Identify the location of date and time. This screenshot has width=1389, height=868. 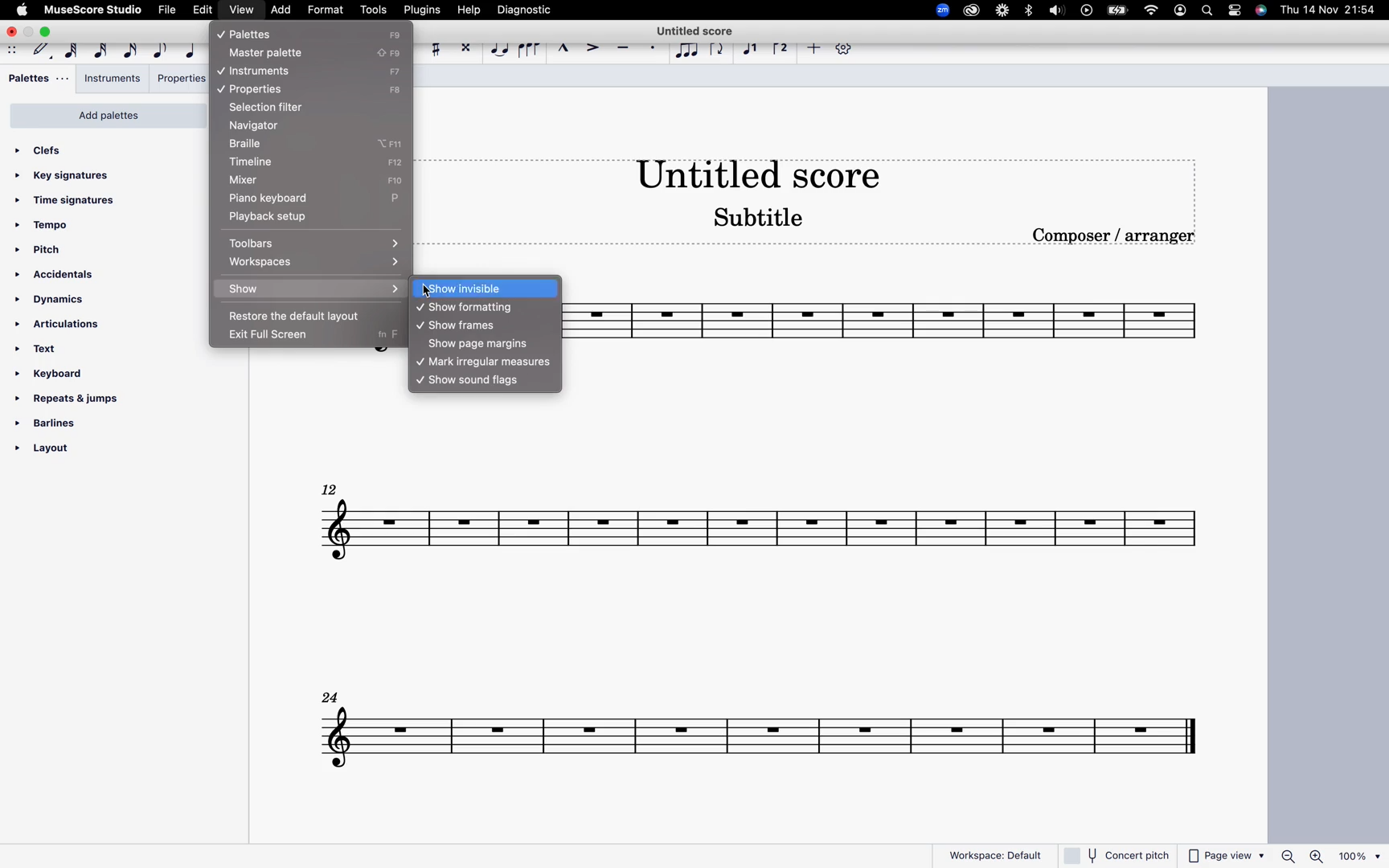
(1329, 11).